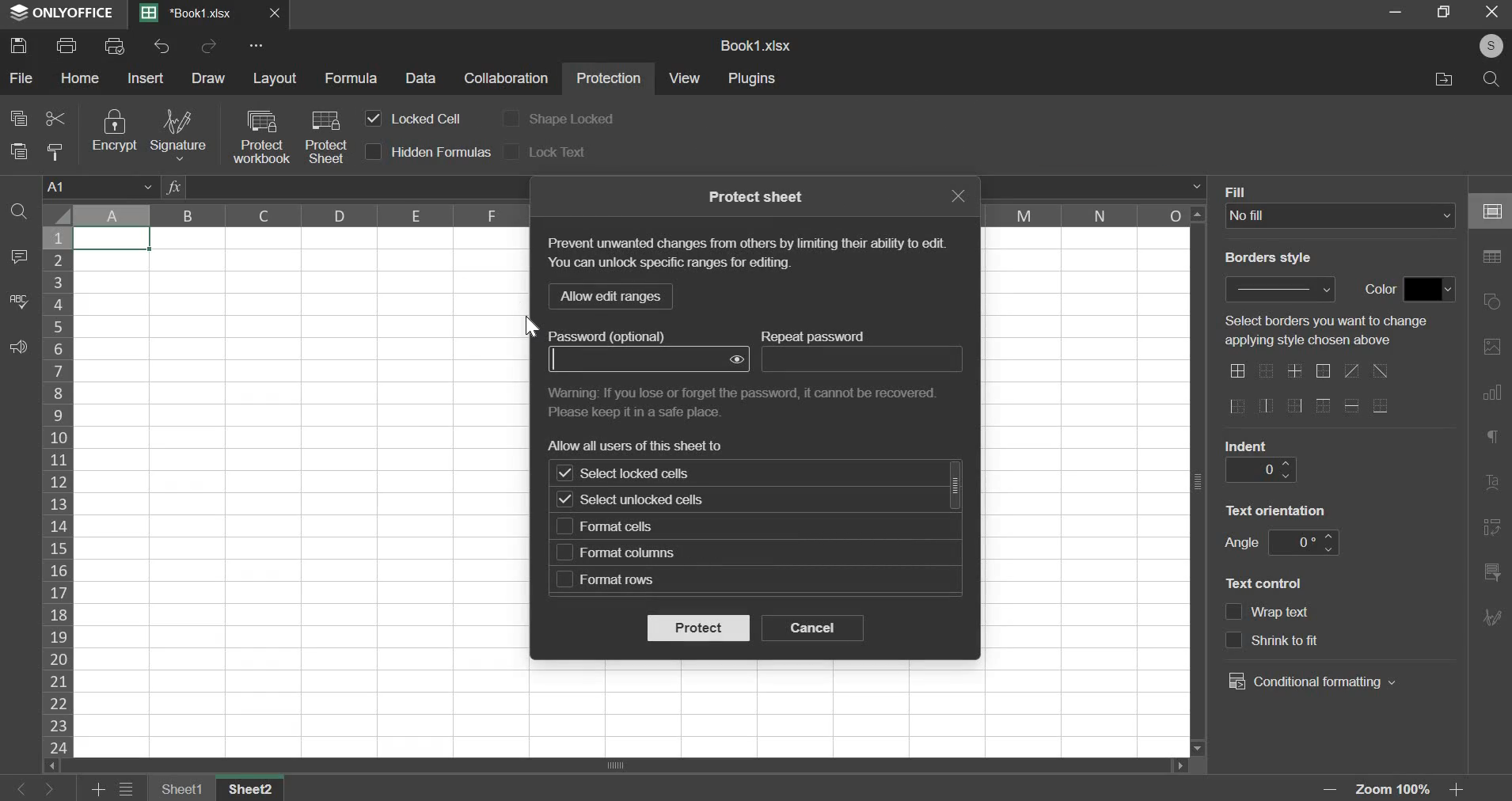 The image size is (1512, 801). I want to click on format rows, so click(617, 580).